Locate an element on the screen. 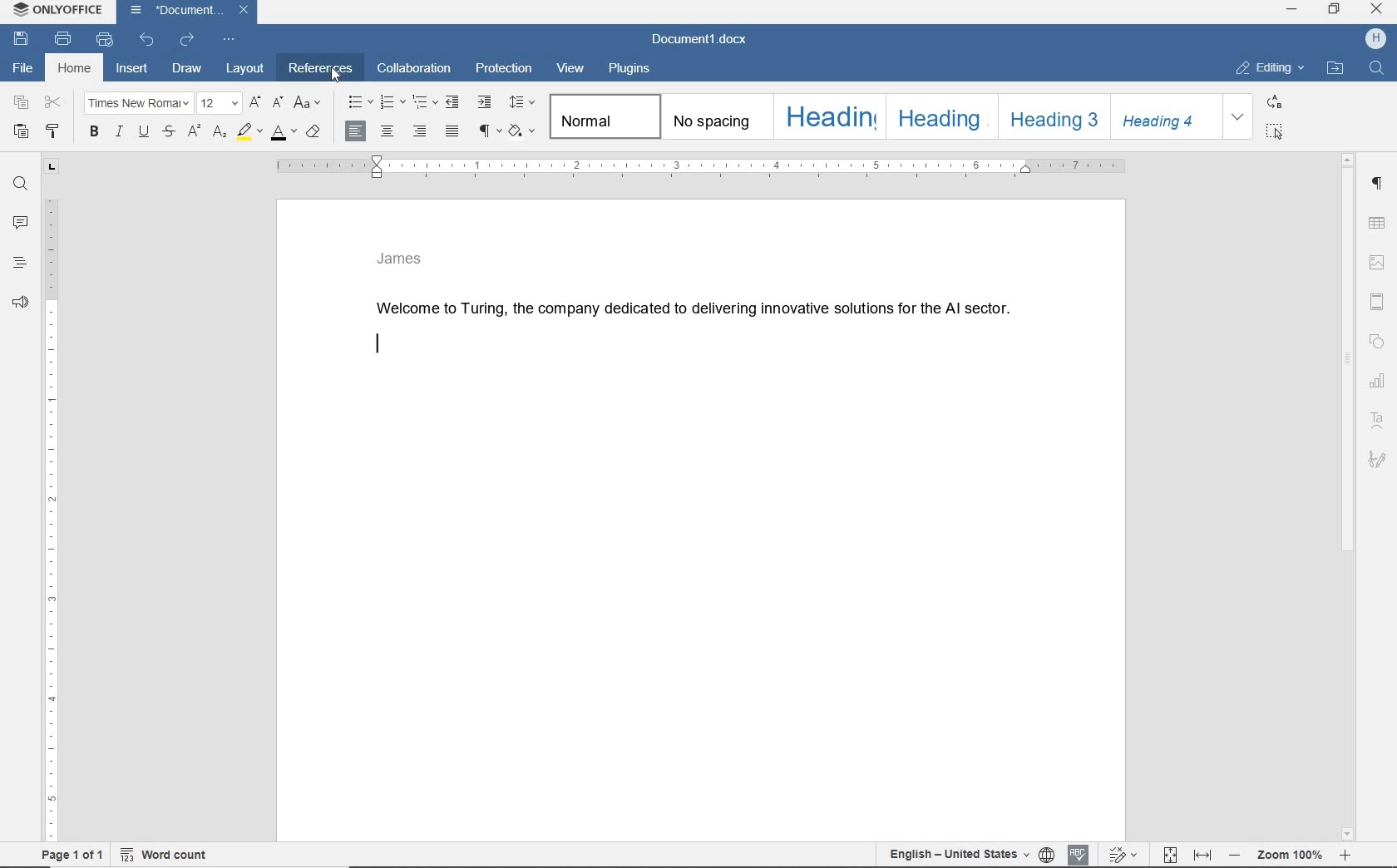 This screenshot has width=1397, height=868. align right is located at coordinates (420, 131).